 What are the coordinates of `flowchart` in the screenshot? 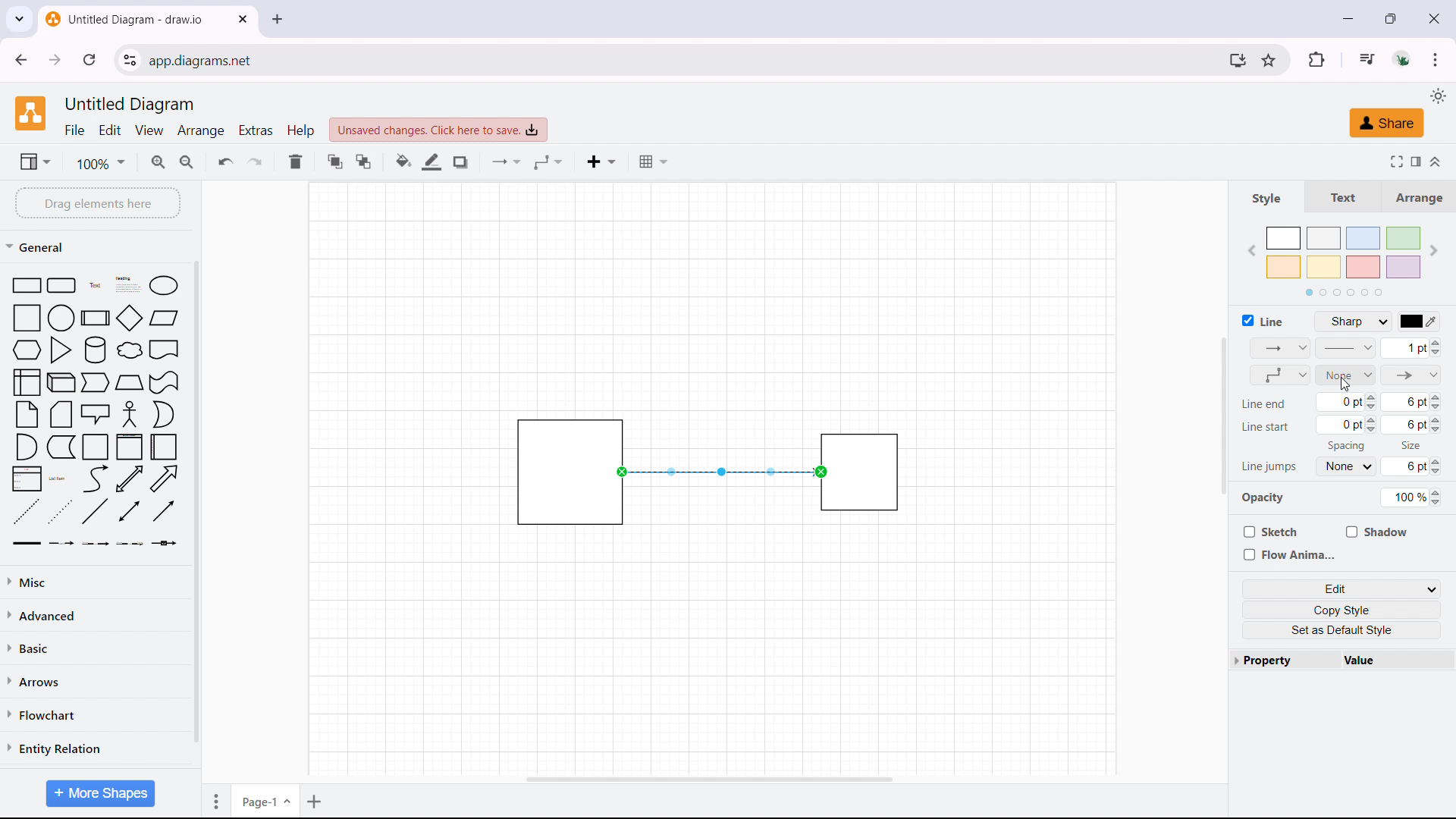 It's located at (95, 714).